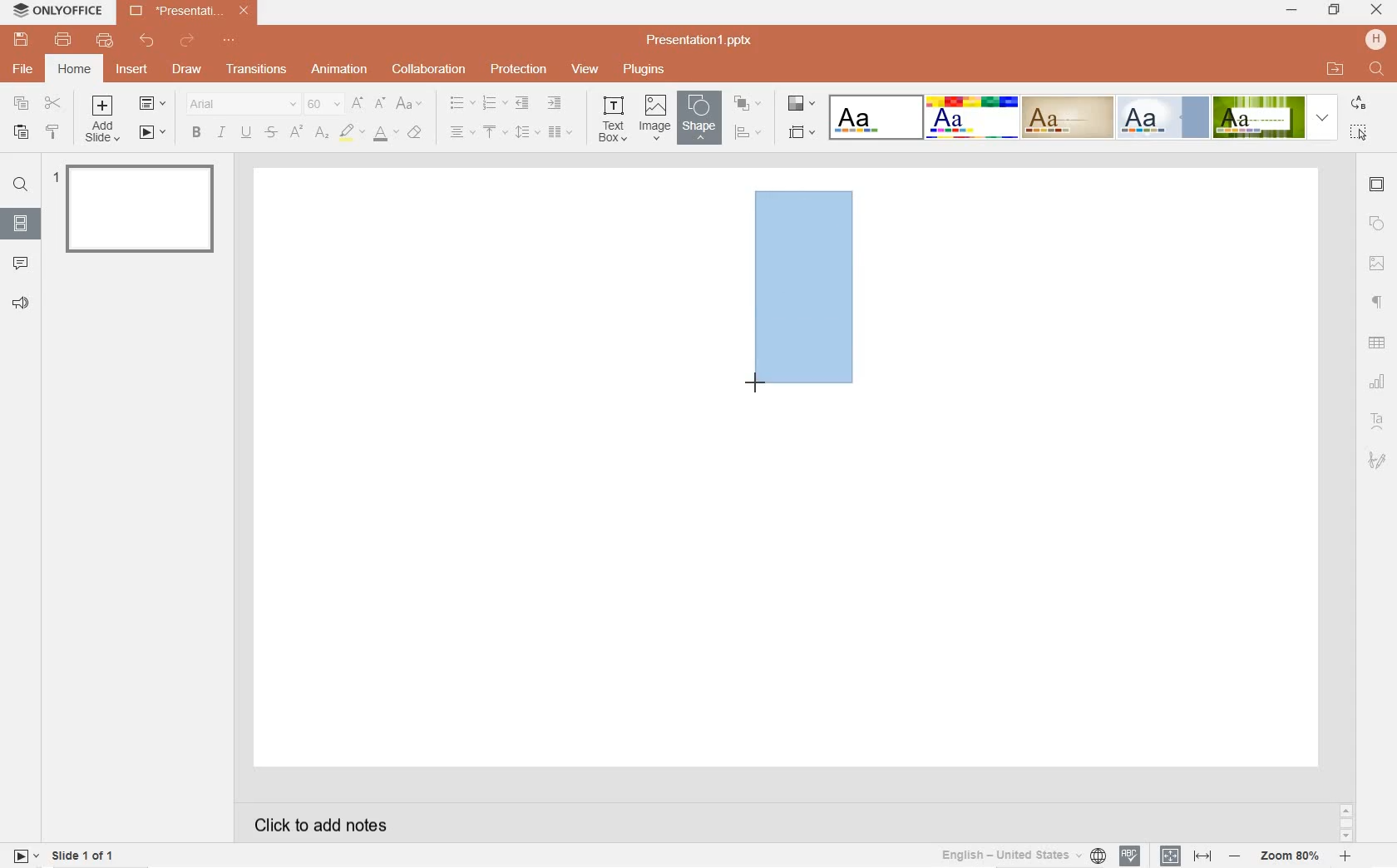 Image resolution: width=1397 pixels, height=868 pixels. I want to click on comments, so click(22, 262).